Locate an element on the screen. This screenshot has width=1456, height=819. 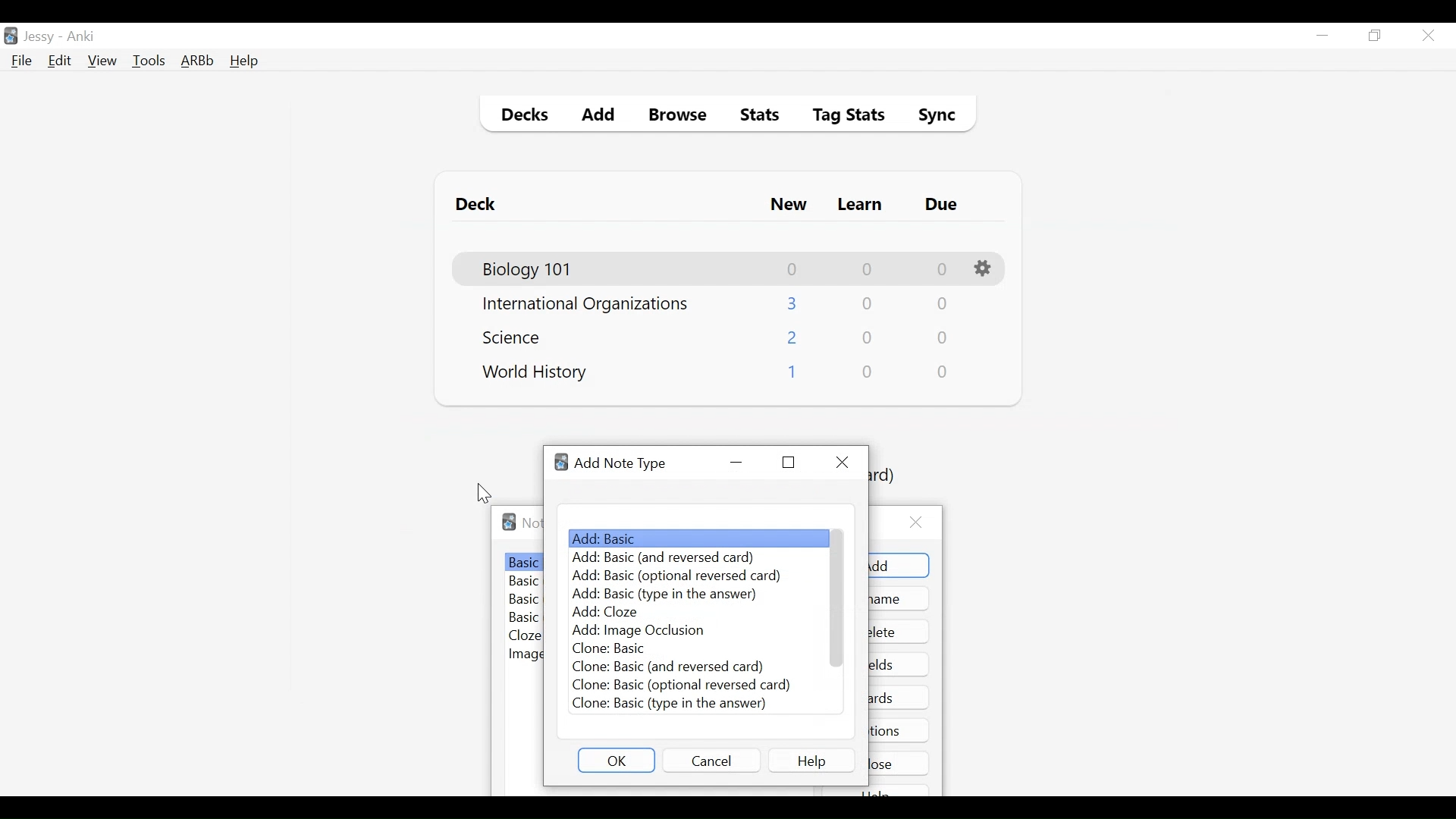
User Nmae is located at coordinates (42, 37).